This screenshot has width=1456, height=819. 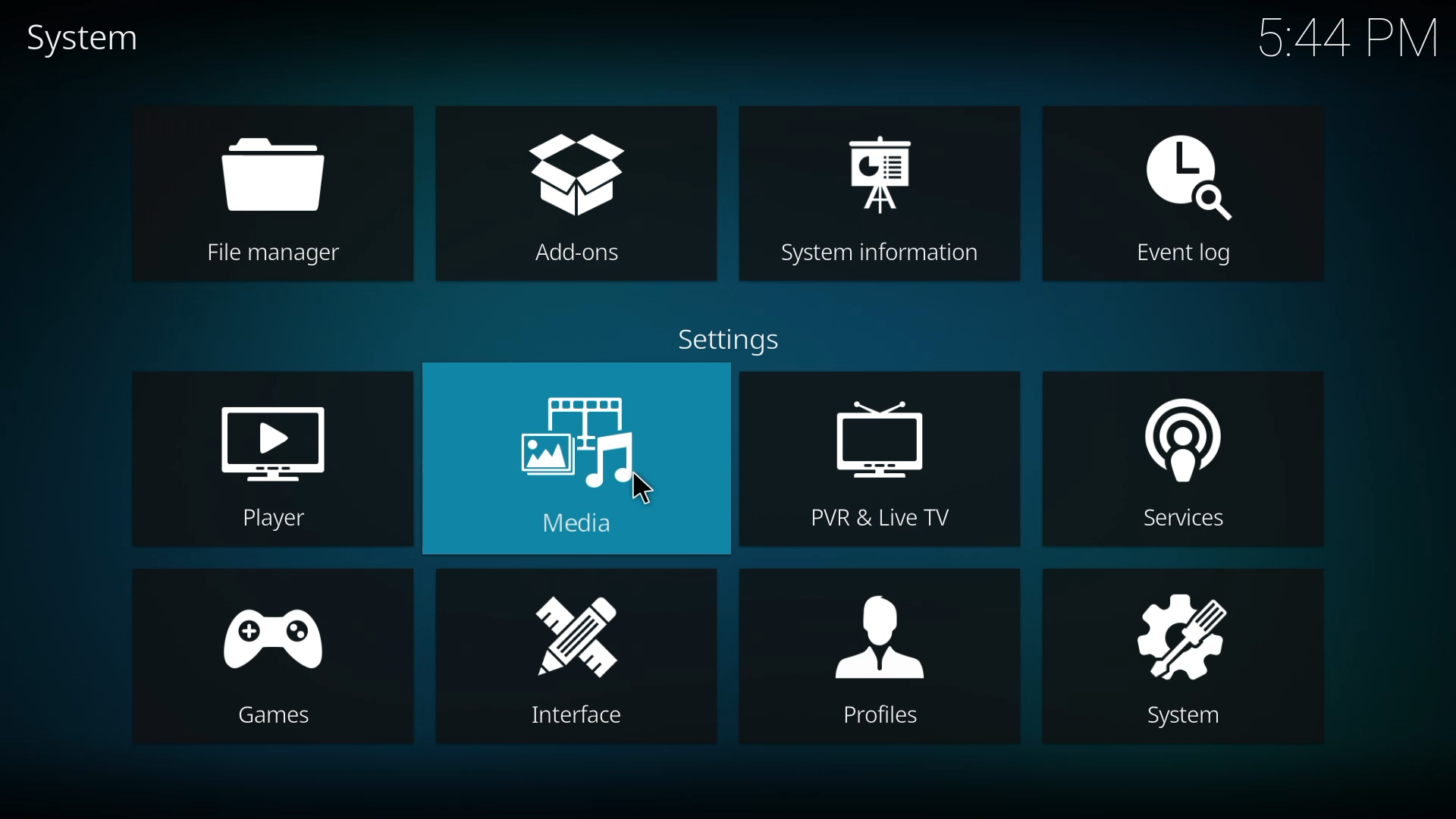 I want to click on Services, so click(x=1187, y=523).